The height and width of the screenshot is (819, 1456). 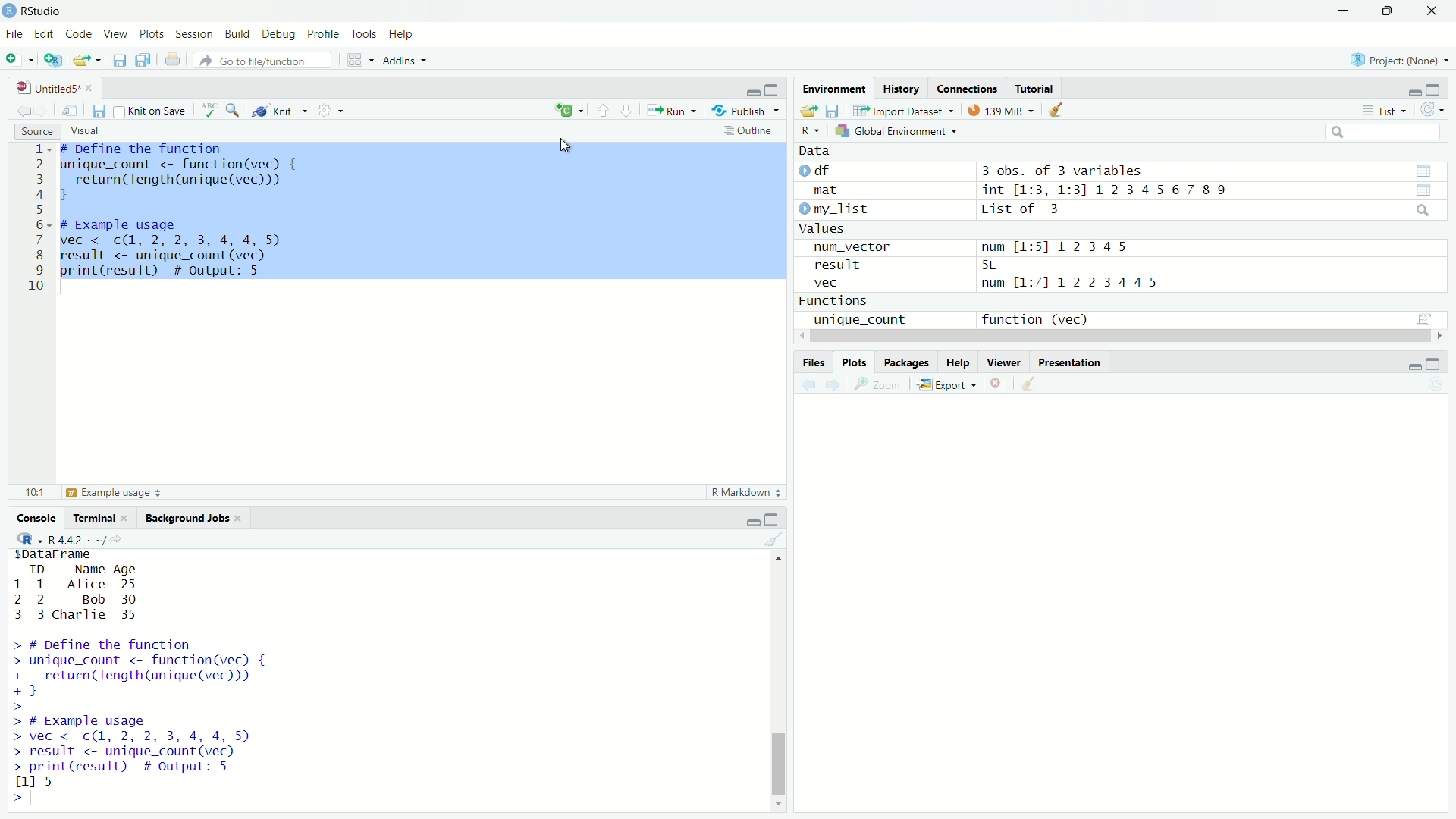 I want to click on minimize, so click(x=752, y=522).